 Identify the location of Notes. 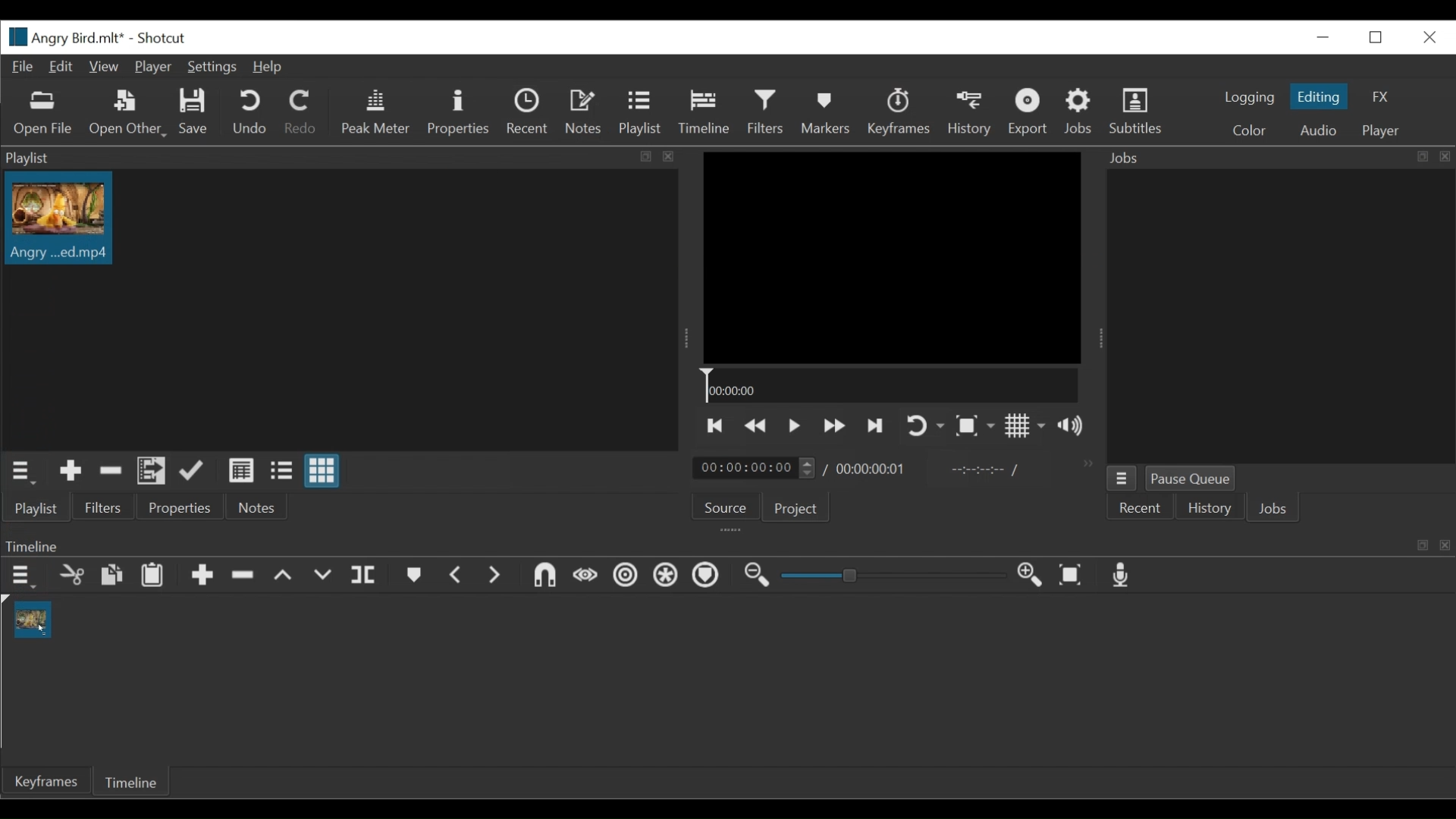
(584, 111).